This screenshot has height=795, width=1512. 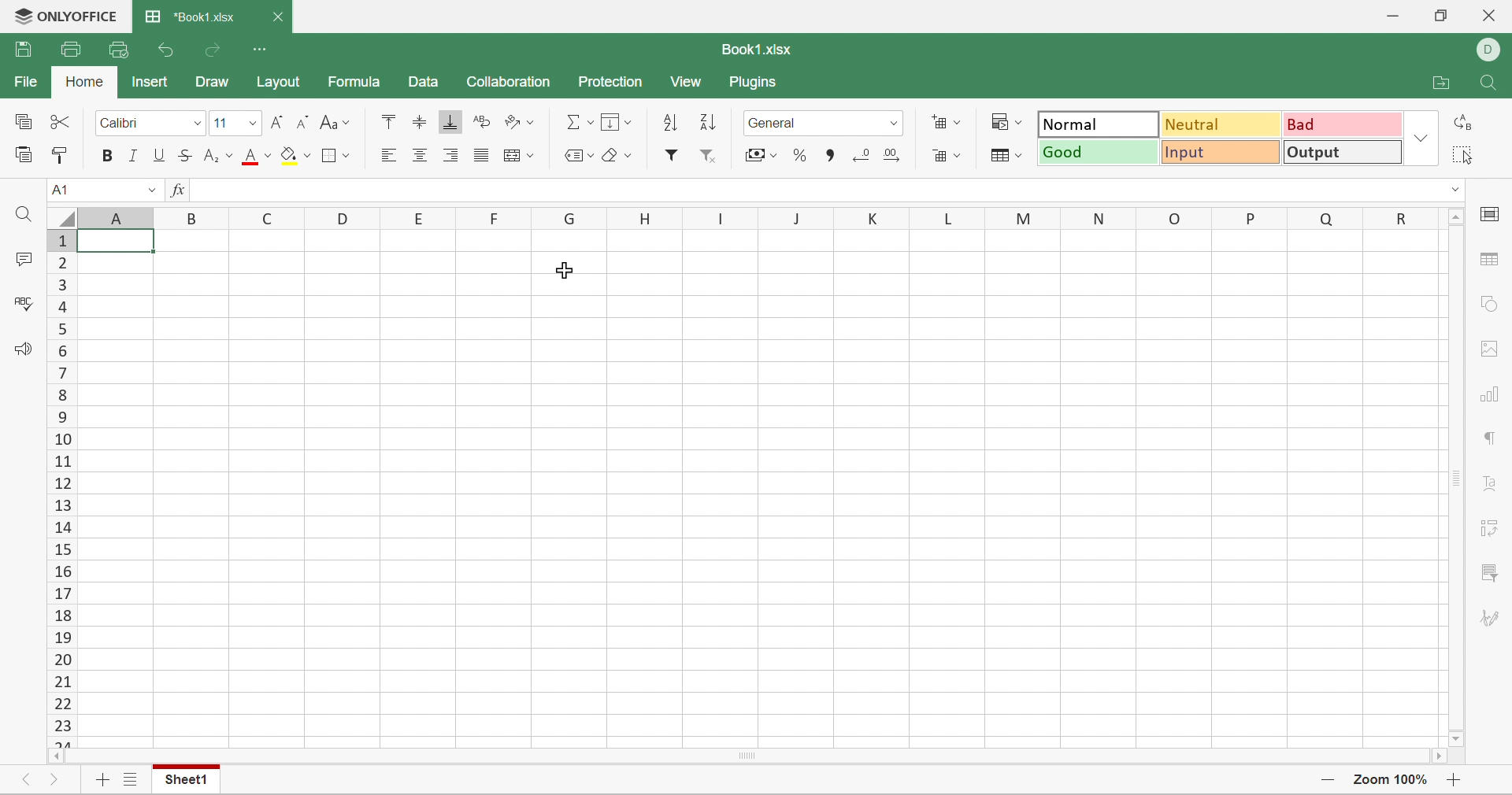 I want to click on 4, so click(x=63, y=306).